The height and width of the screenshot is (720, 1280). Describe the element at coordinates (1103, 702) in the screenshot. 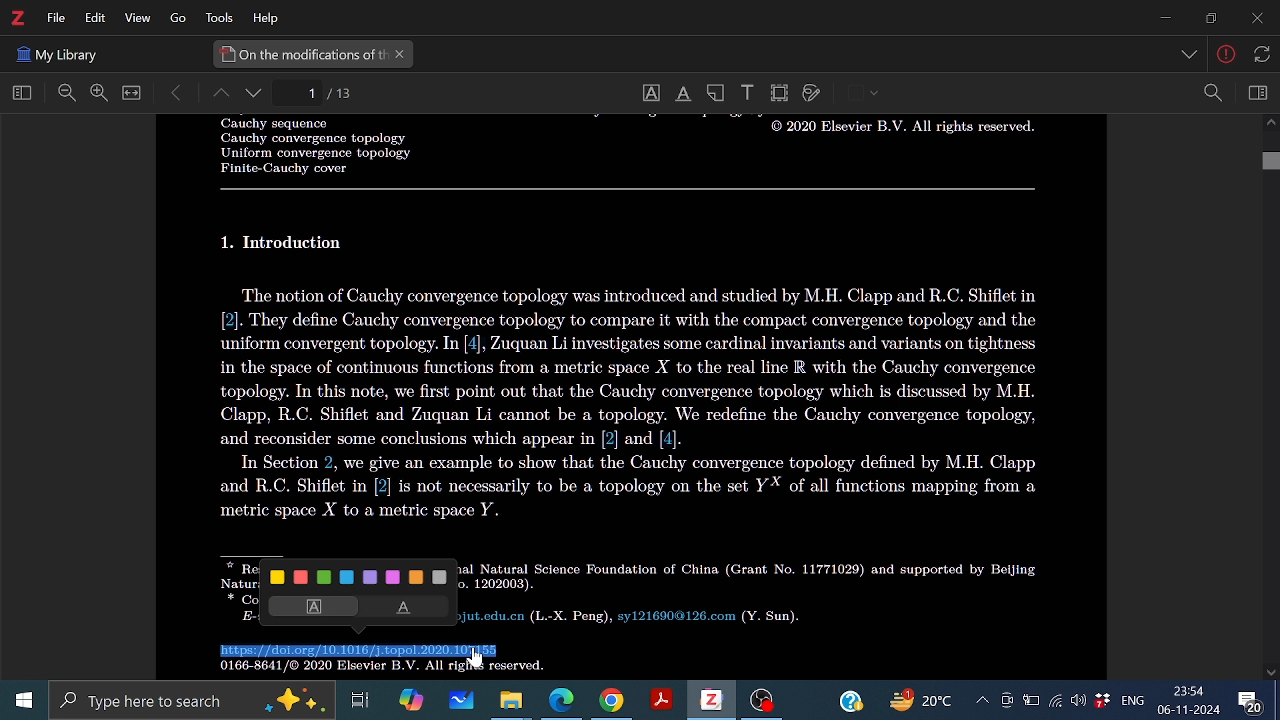

I see `dropbox` at that location.